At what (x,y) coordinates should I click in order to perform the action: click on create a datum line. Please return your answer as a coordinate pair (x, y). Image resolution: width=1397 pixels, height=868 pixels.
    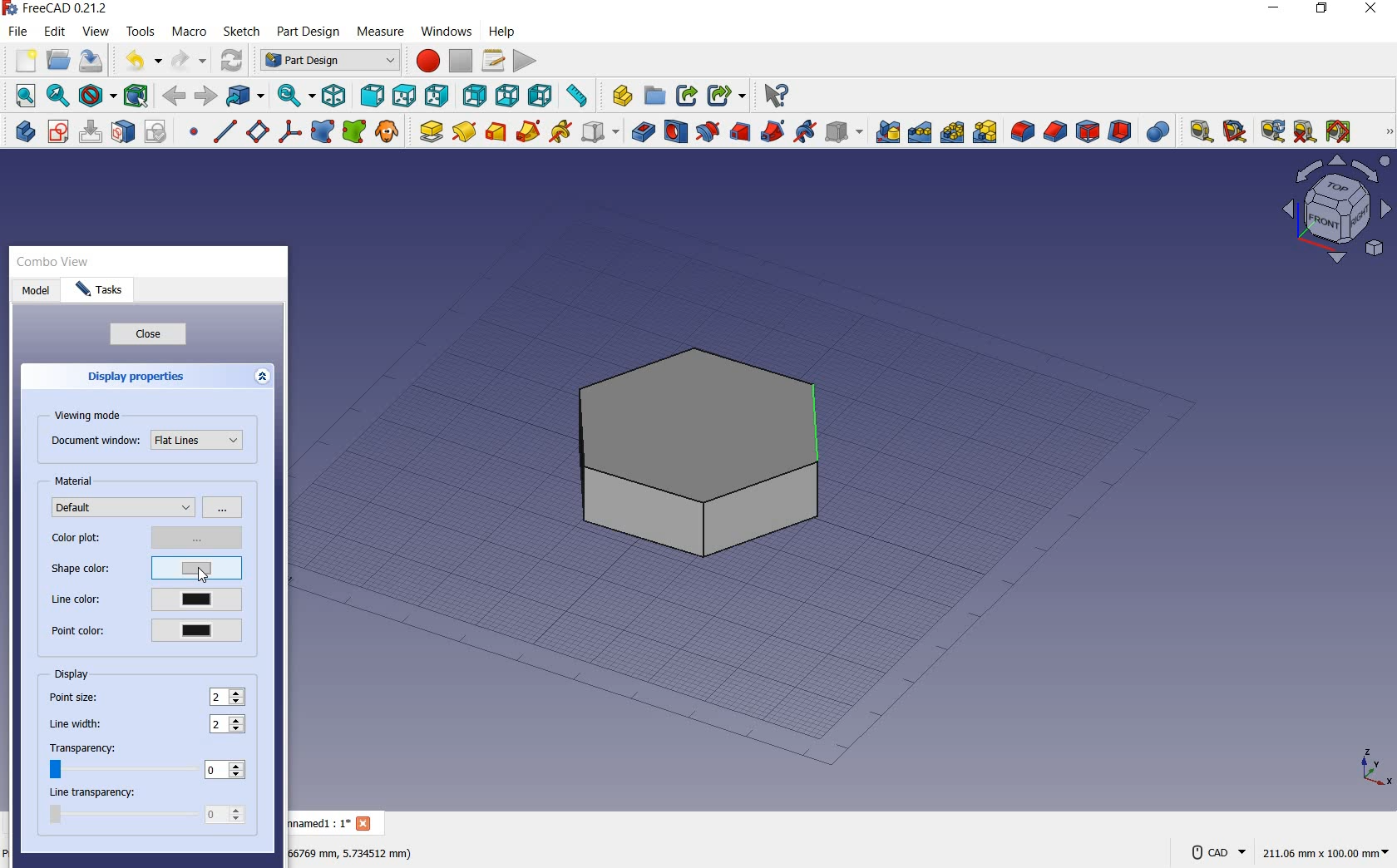
    Looking at the image, I should click on (223, 131).